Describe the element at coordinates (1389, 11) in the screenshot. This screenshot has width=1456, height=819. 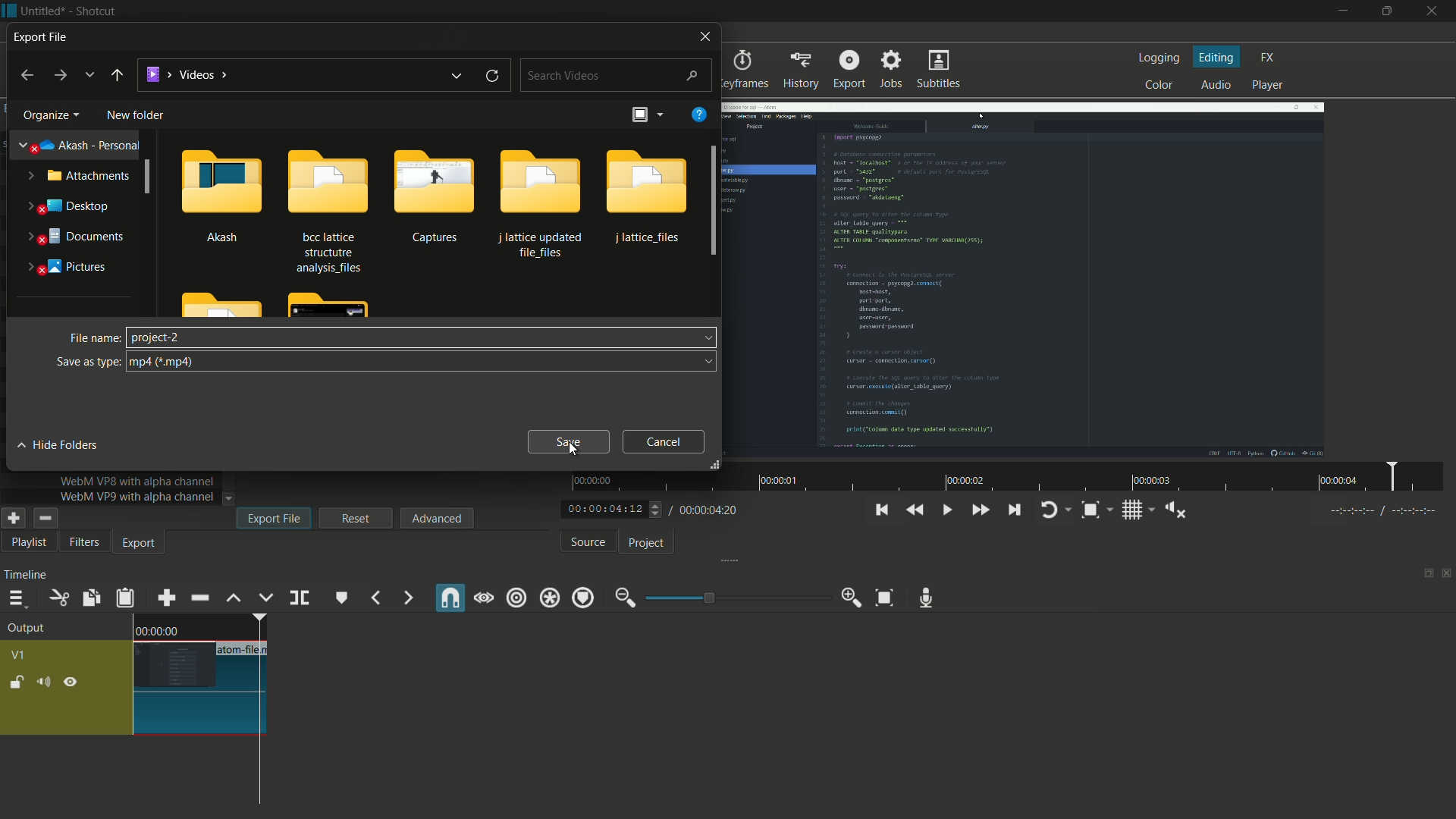
I see `maximize` at that location.